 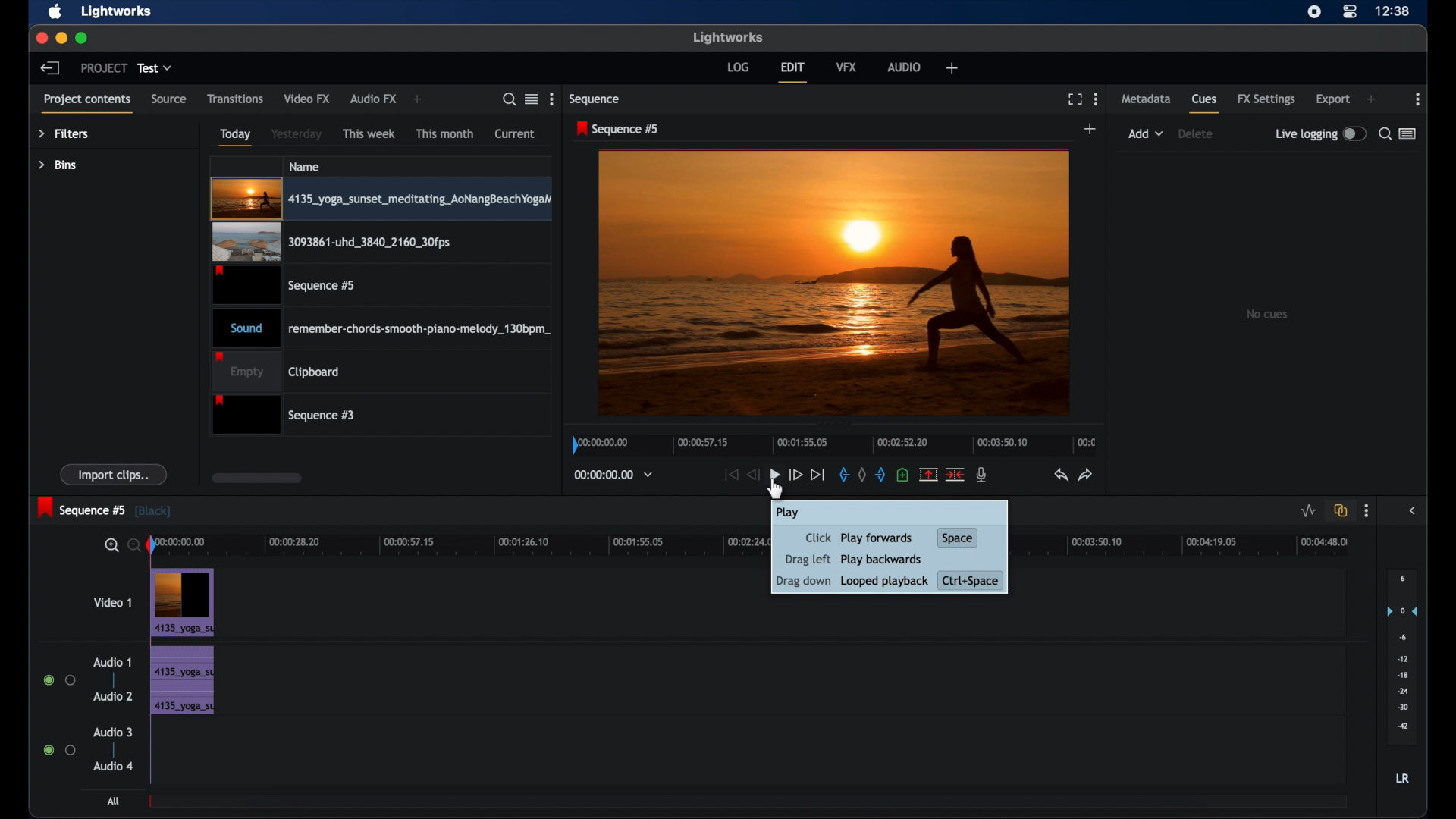 I want to click on more options, so click(x=1419, y=99).